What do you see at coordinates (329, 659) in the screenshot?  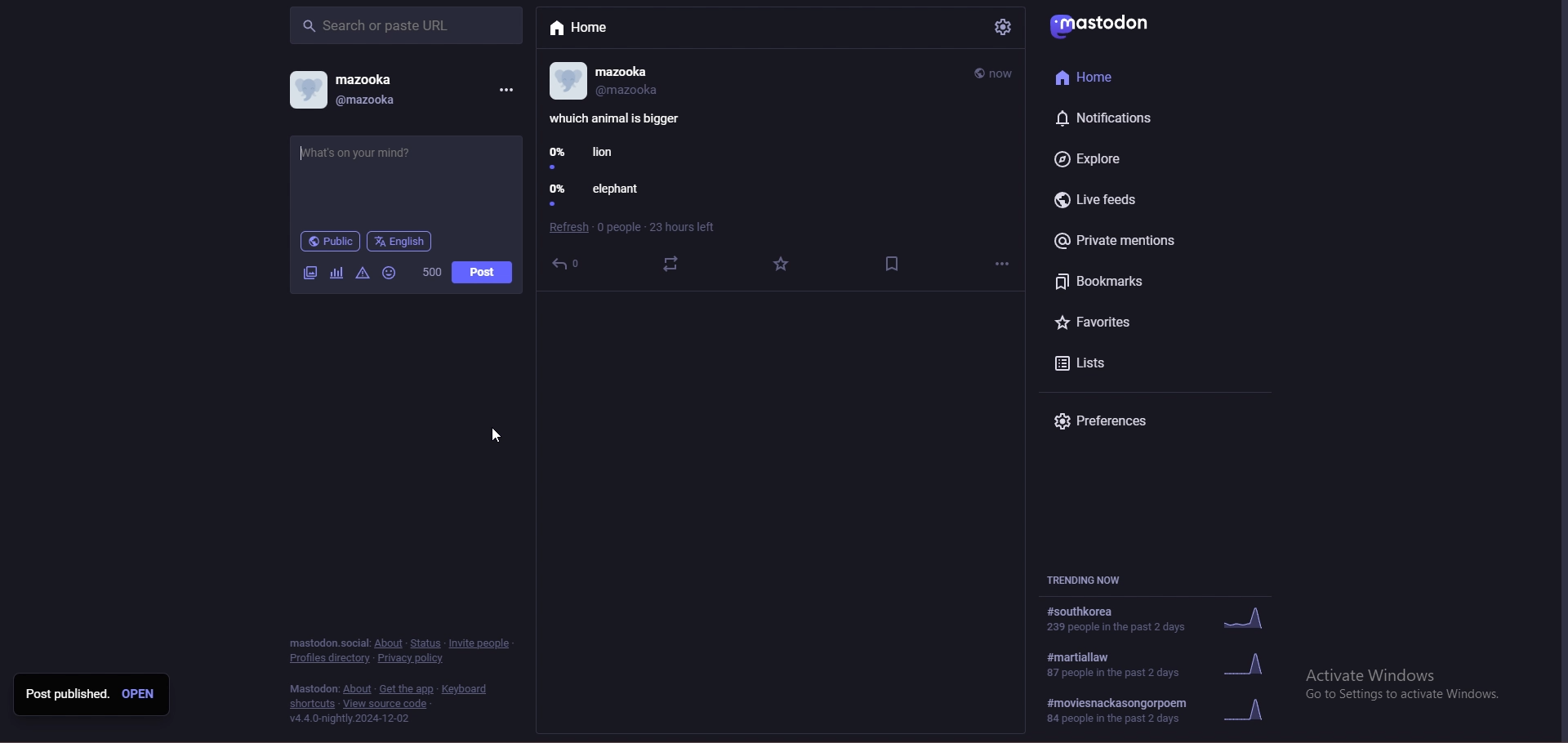 I see `profiles directory` at bounding box center [329, 659].